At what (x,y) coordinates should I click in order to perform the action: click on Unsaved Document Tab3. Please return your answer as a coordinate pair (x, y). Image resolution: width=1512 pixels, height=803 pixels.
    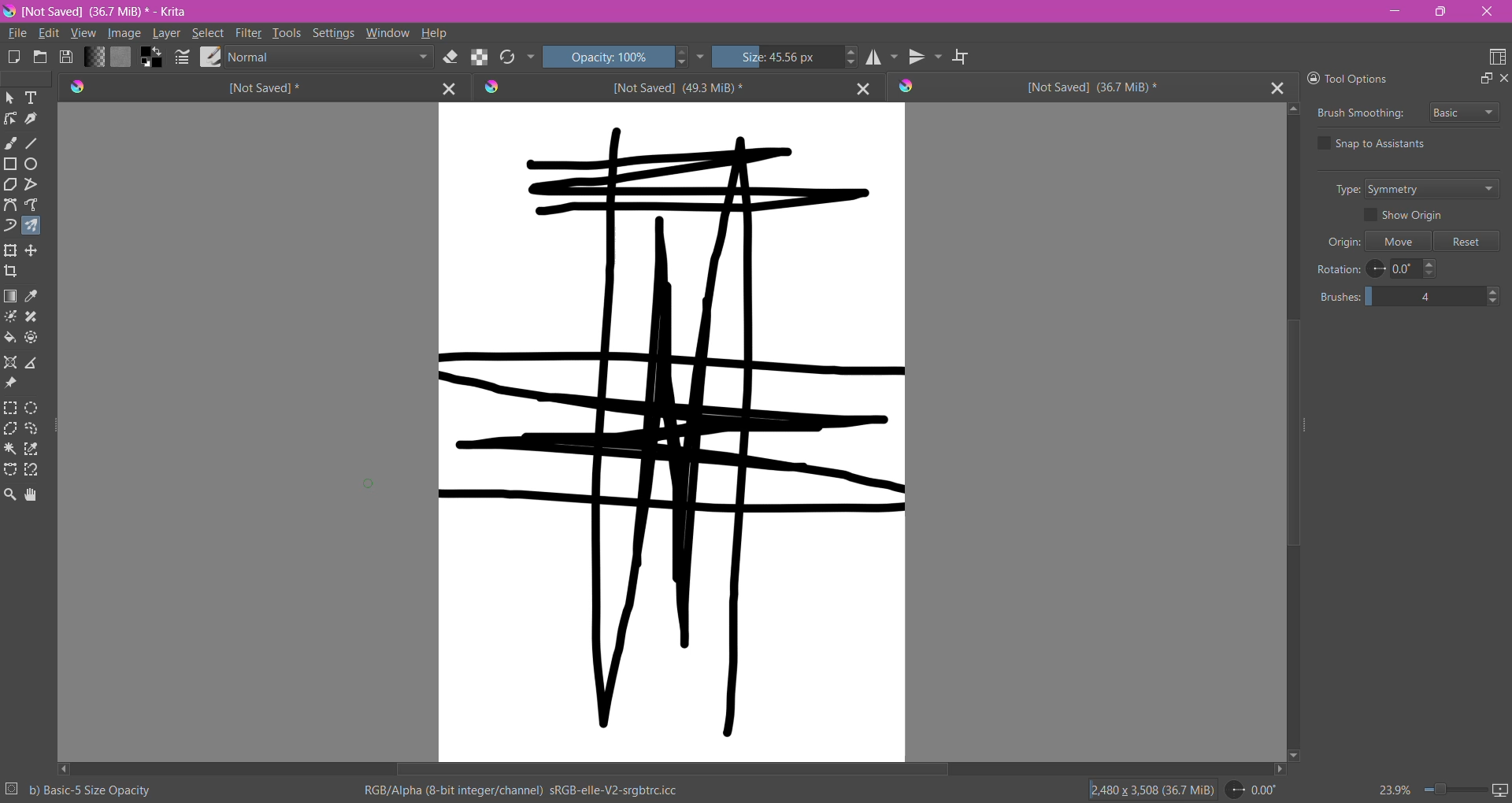
    Looking at the image, I should click on (1077, 87).